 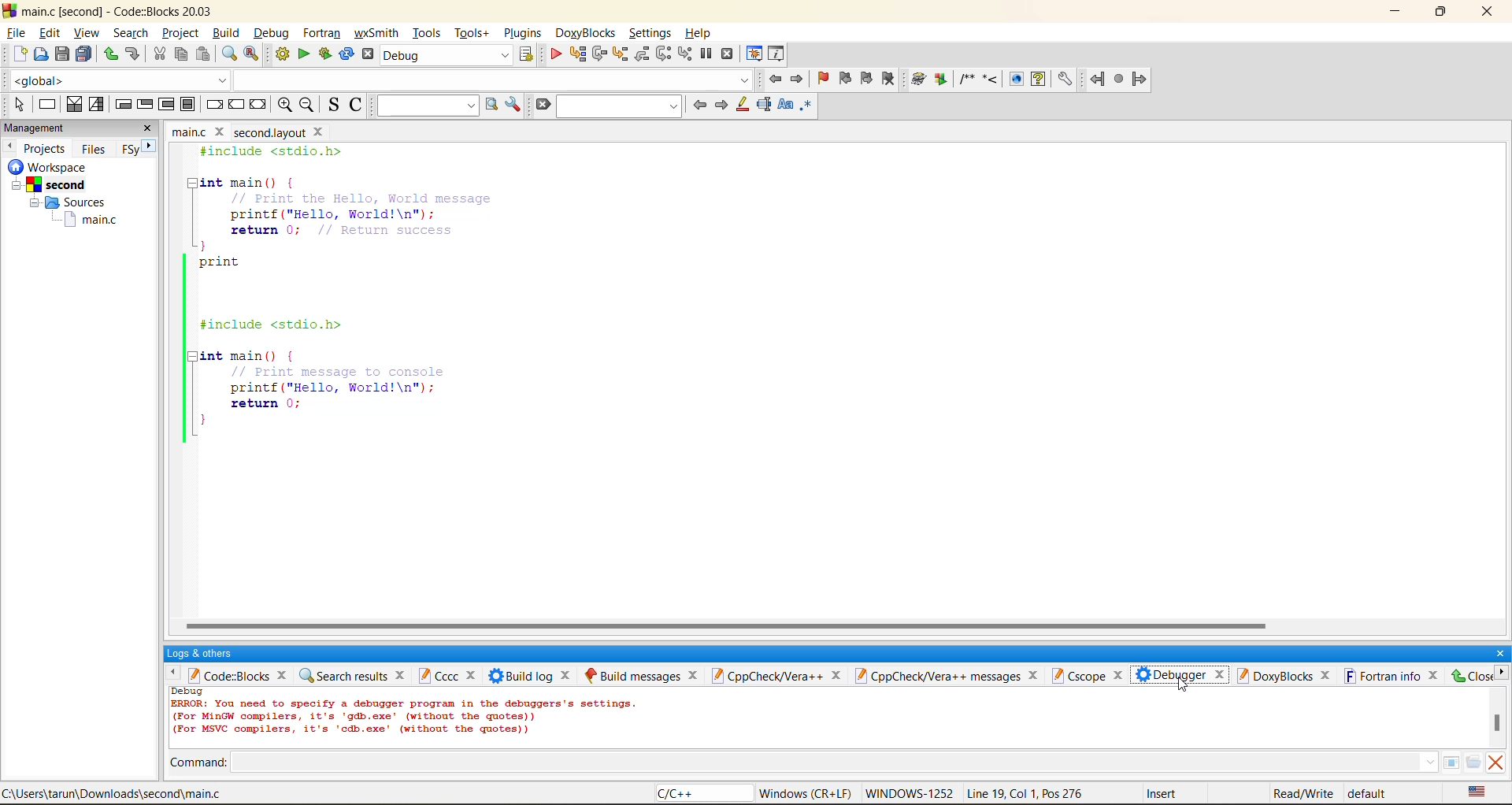 What do you see at coordinates (1492, 14) in the screenshot?
I see `close` at bounding box center [1492, 14].